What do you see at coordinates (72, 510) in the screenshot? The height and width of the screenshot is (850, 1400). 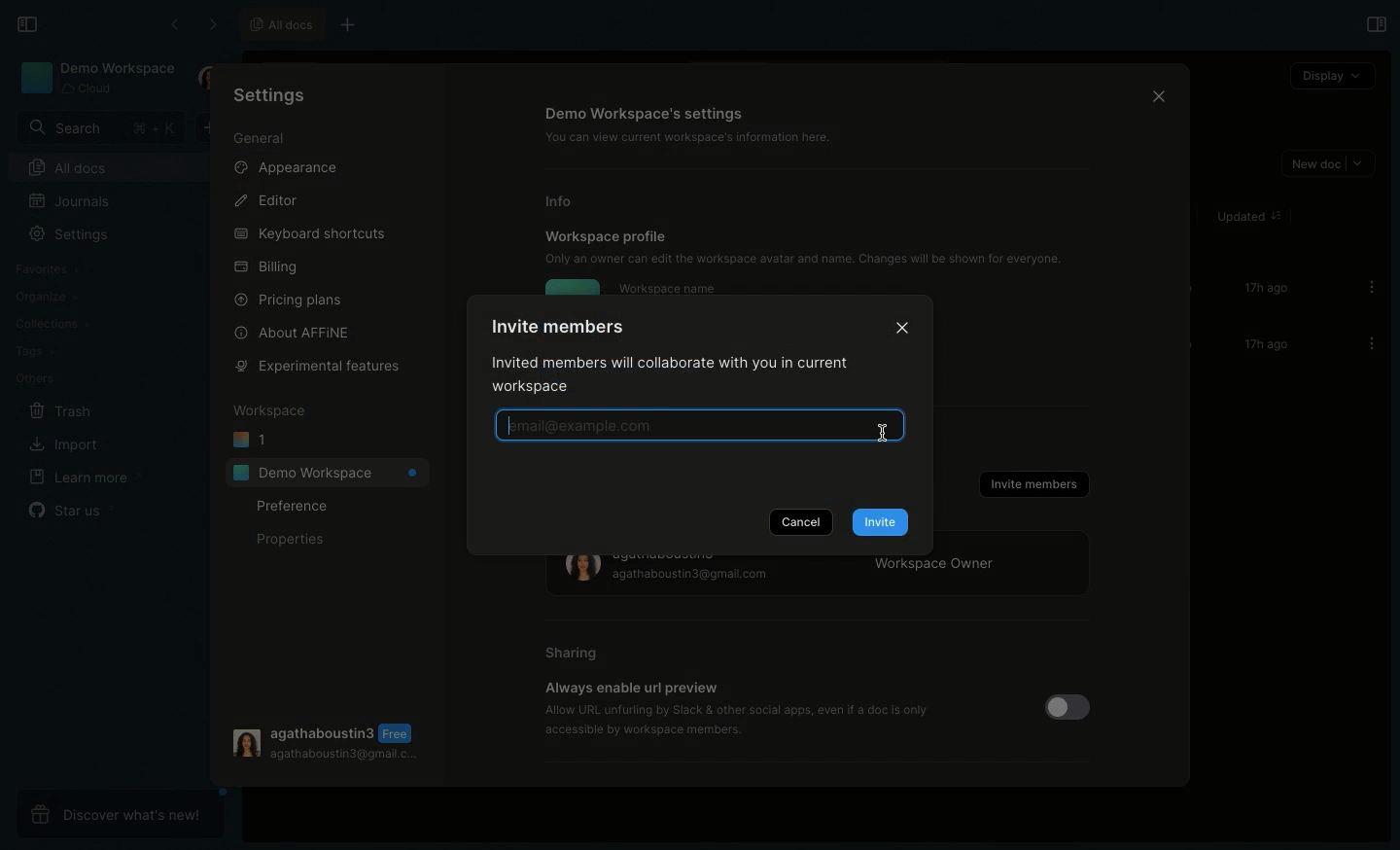 I see `Star us` at bounding box center [72, 510].